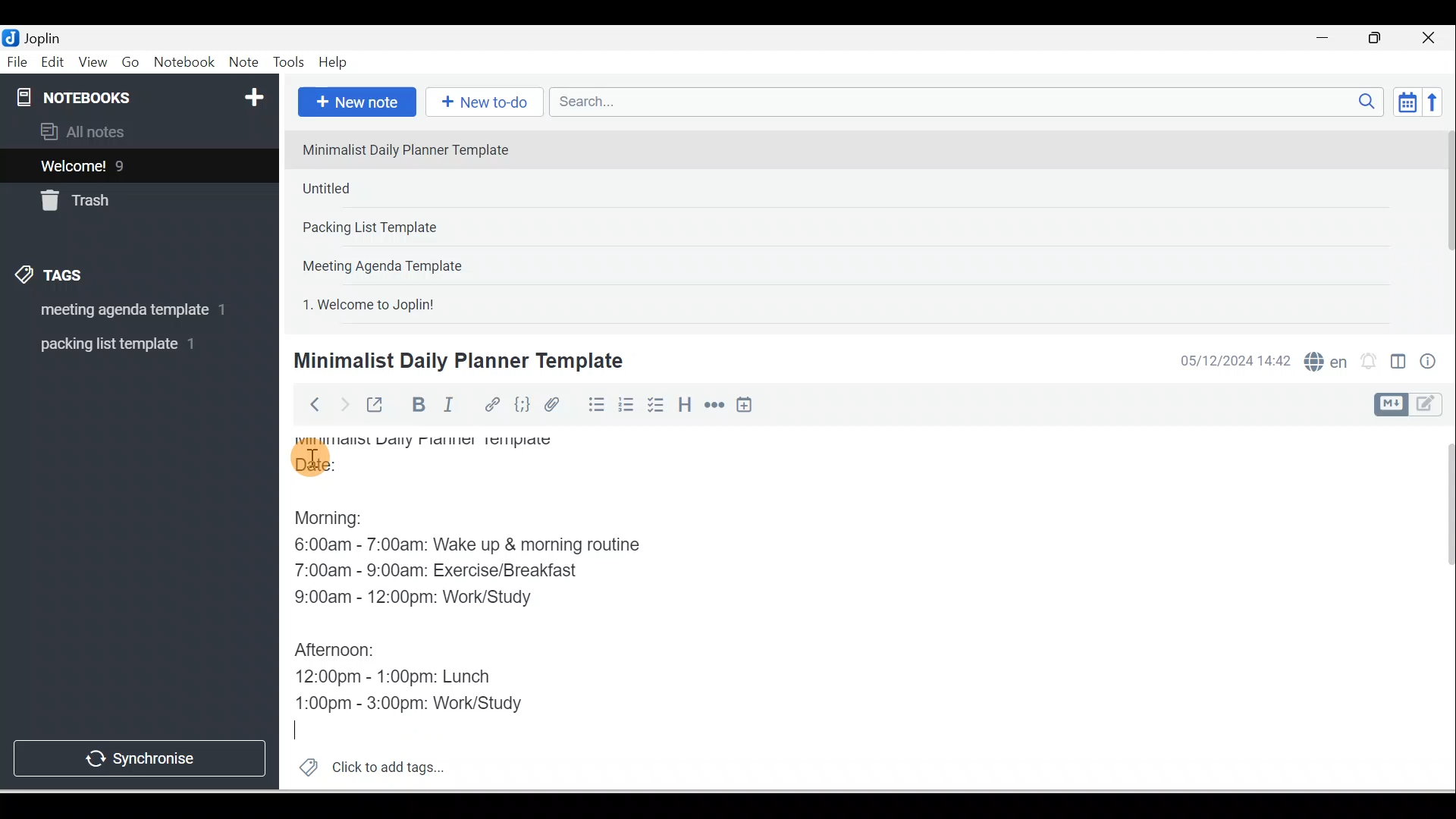 This screenshot has height=819, width=1456. What do you see at coordinates (54, 278) in the screenshot?
I see `Tags` at bounding box center [54, 278].